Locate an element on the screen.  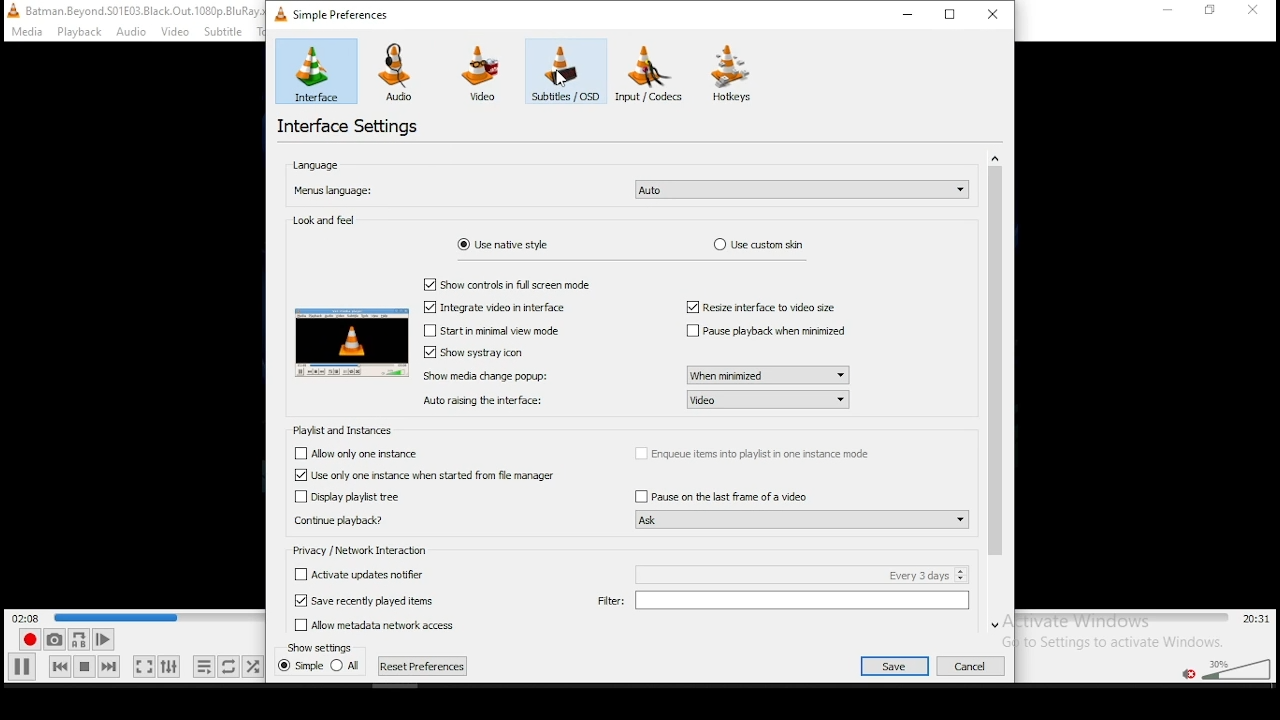
 is located at coordinates (520, 281).